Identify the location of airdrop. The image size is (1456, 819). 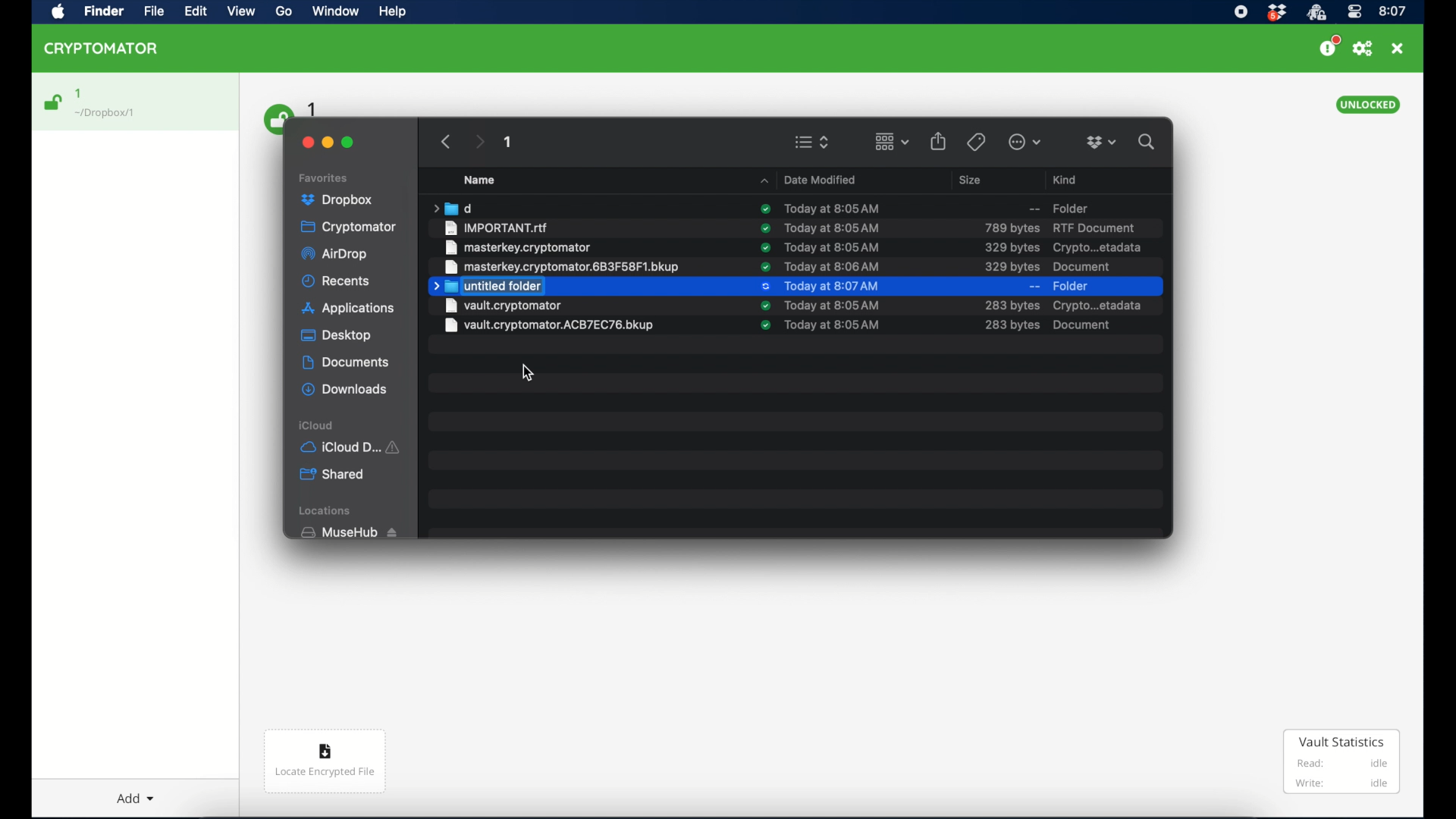
(336, 256).